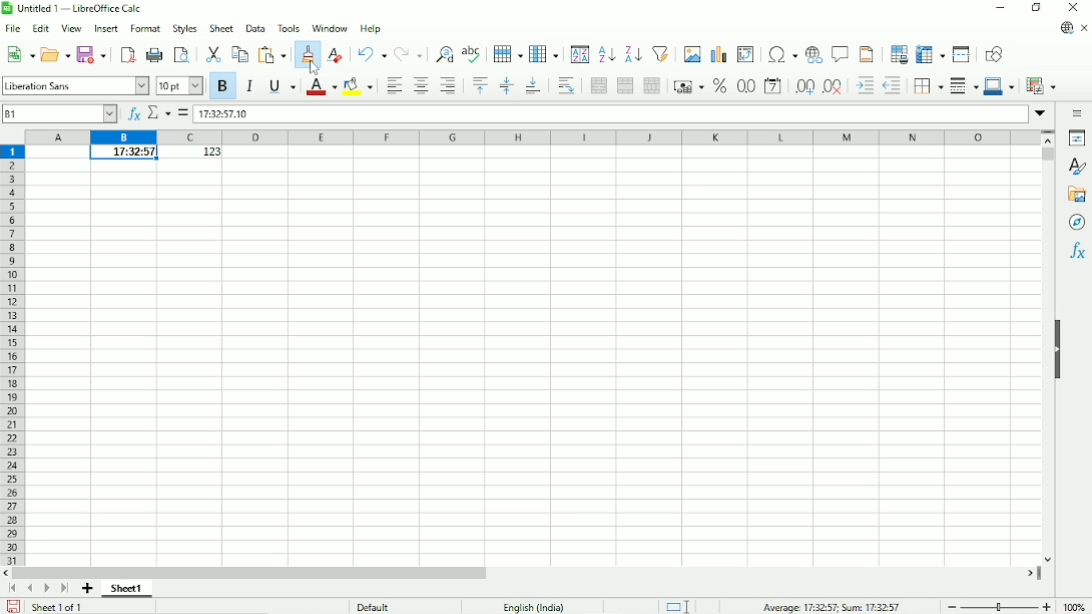  What do you see at coordinates (55, 54) in the screenshot?
I see `Open` at bounding box center [55, 54].